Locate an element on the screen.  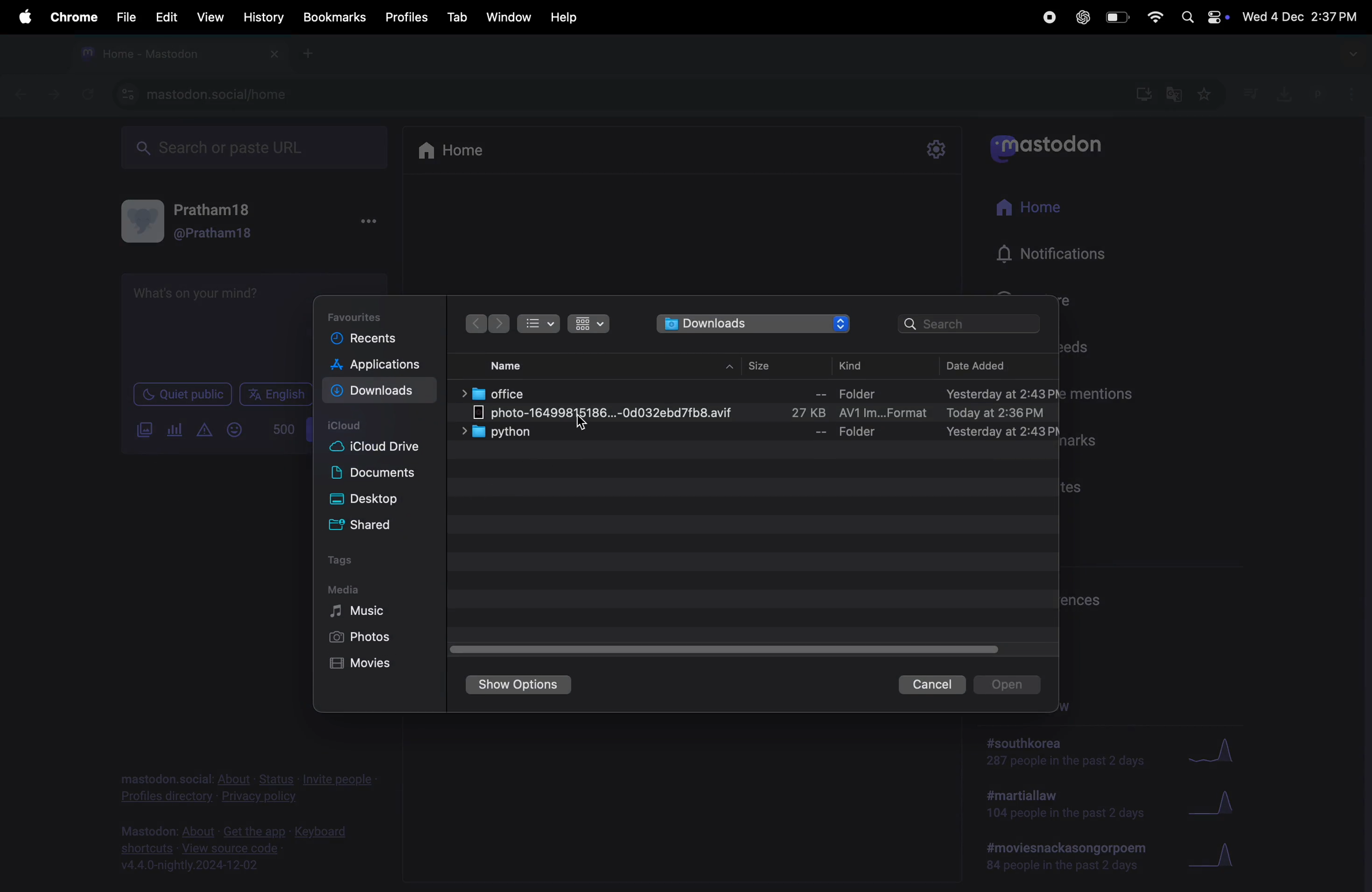
icloud is located at coordinates (348, 426).